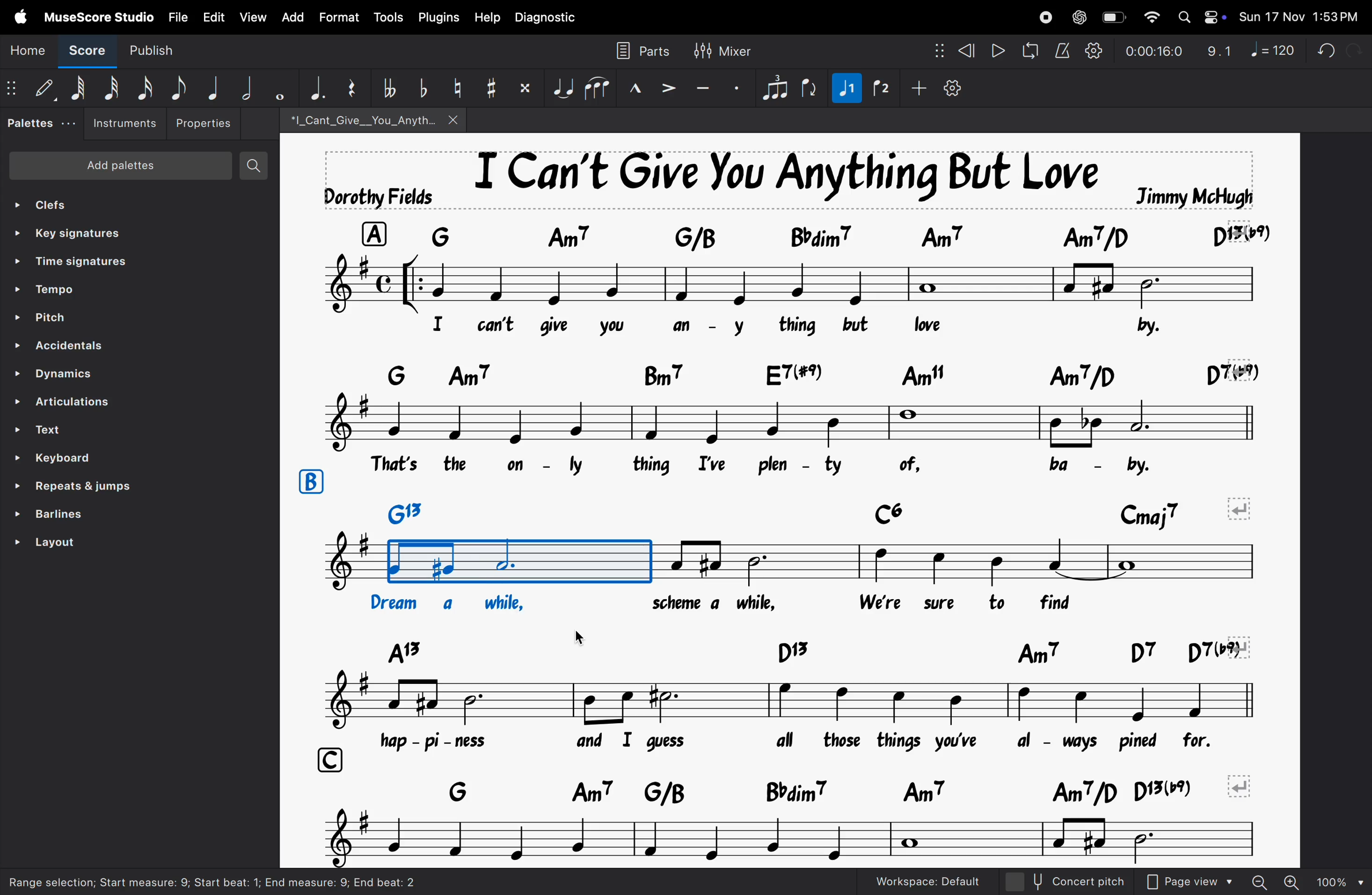 The width and height of the screenshot is (1372, 895). Describe the element at coordinates (770, 329) in the screenshot. I see `lyrics` at that location.